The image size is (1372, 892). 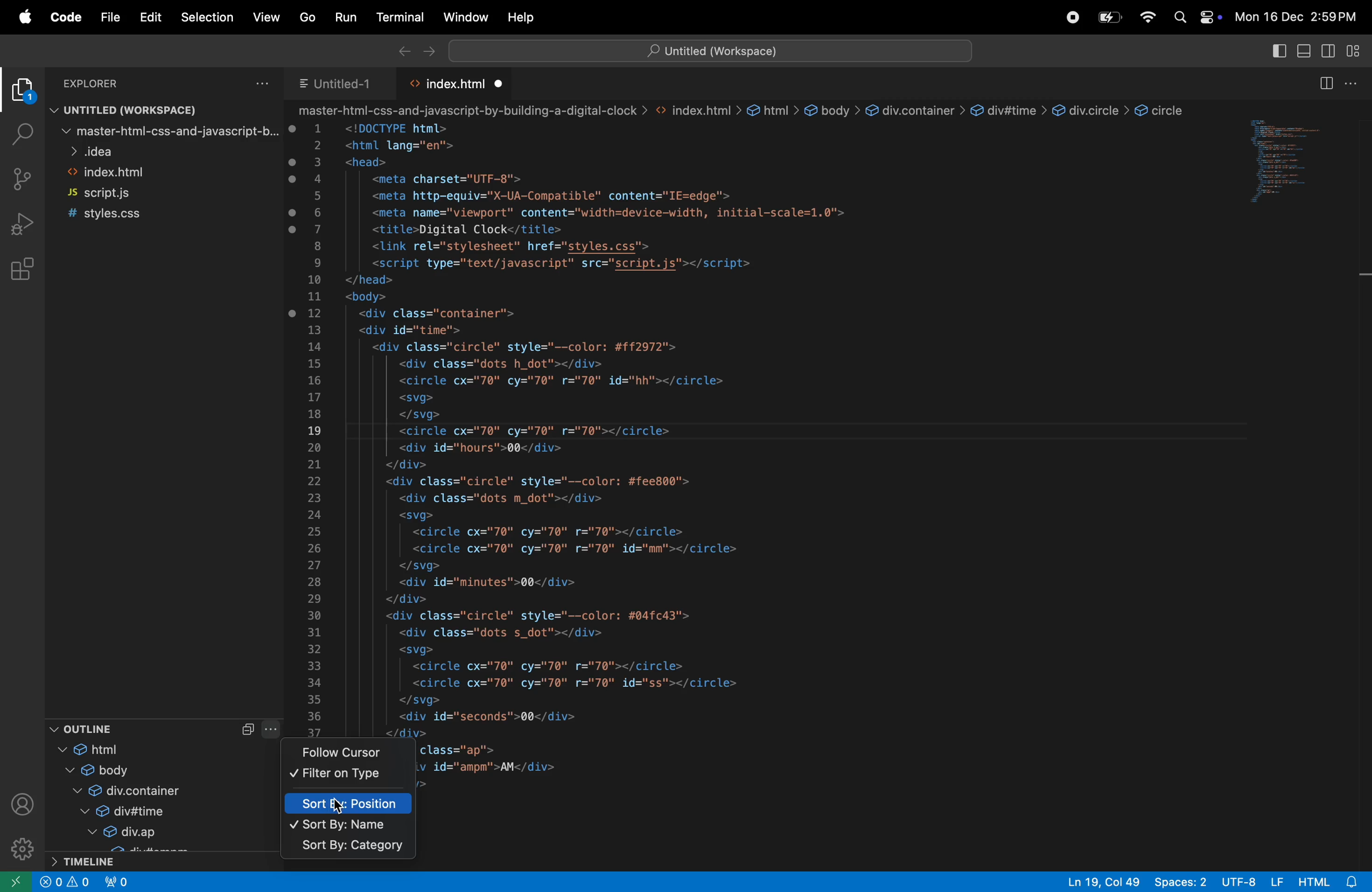 I want to click on options, so click(x=263, y=82).